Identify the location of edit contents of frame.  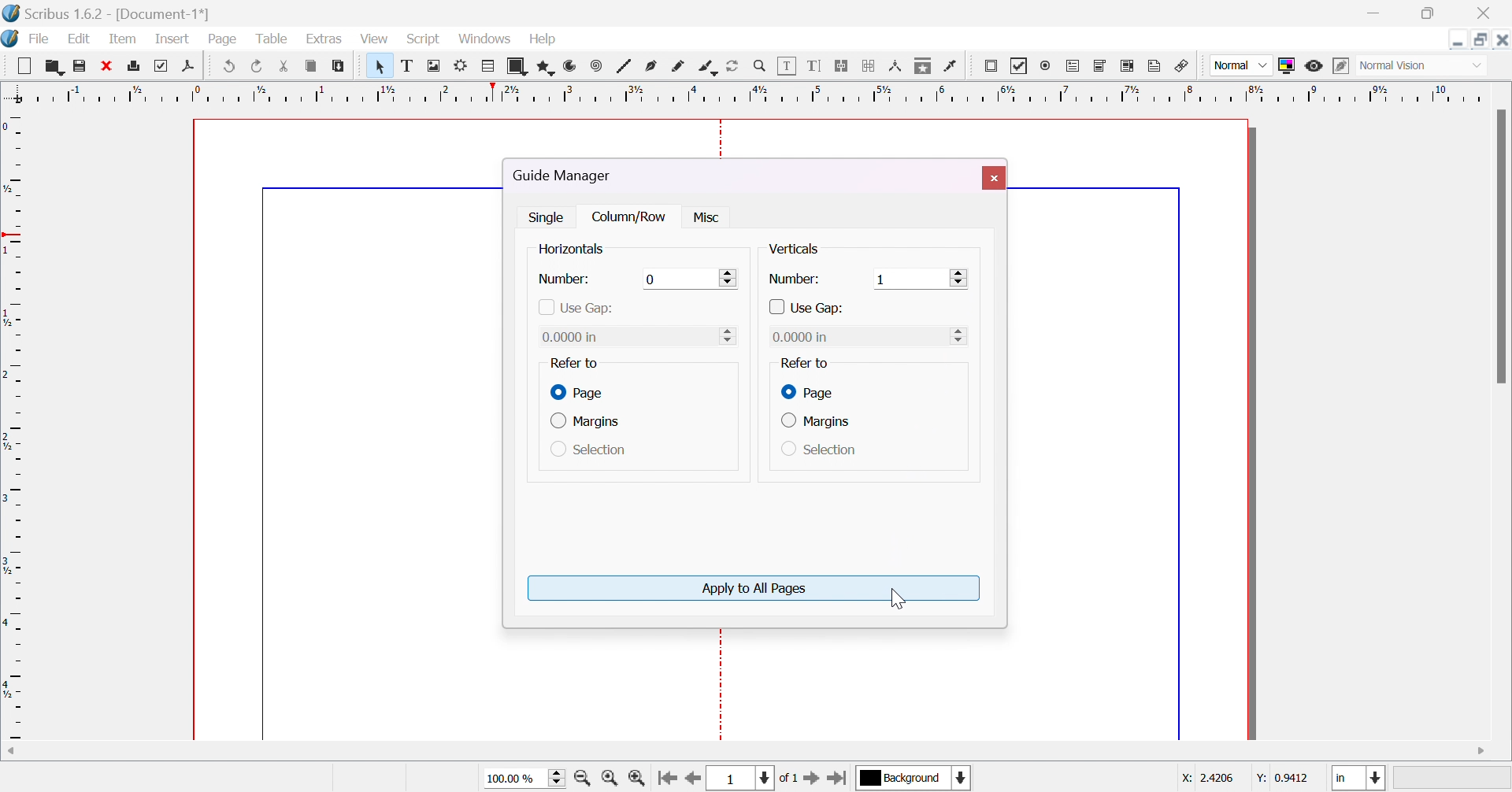
(790, 67).